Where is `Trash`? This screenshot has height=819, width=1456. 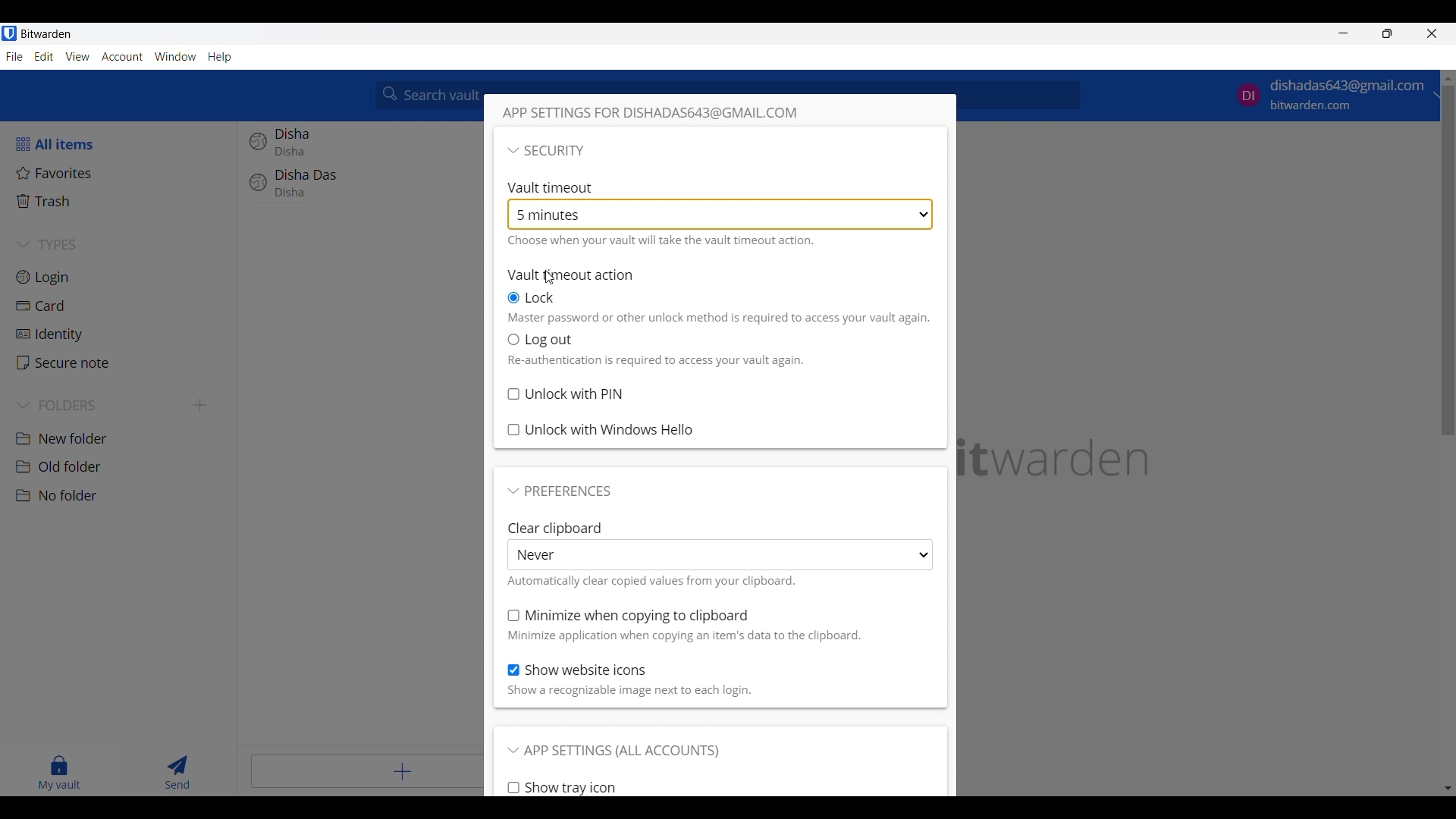
Trash is located at coordinates (122, 201).